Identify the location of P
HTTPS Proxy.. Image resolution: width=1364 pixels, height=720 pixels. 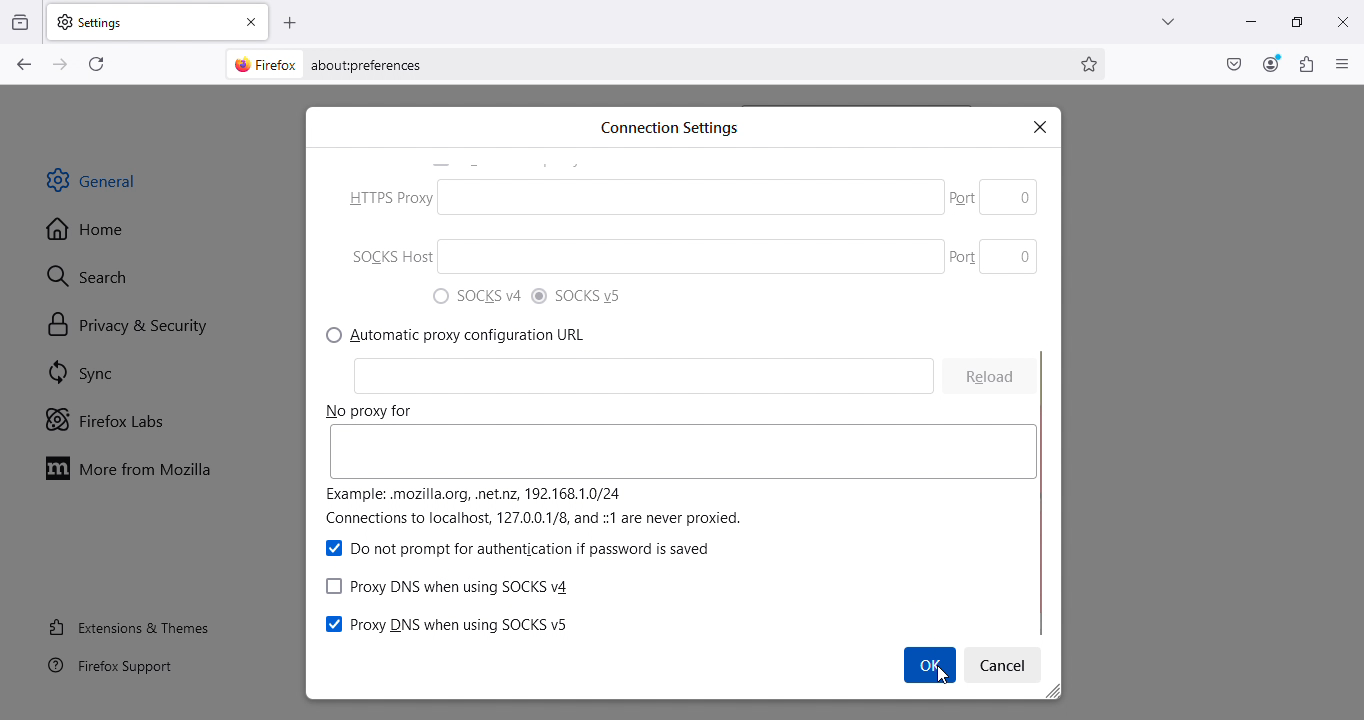
(600, 408).